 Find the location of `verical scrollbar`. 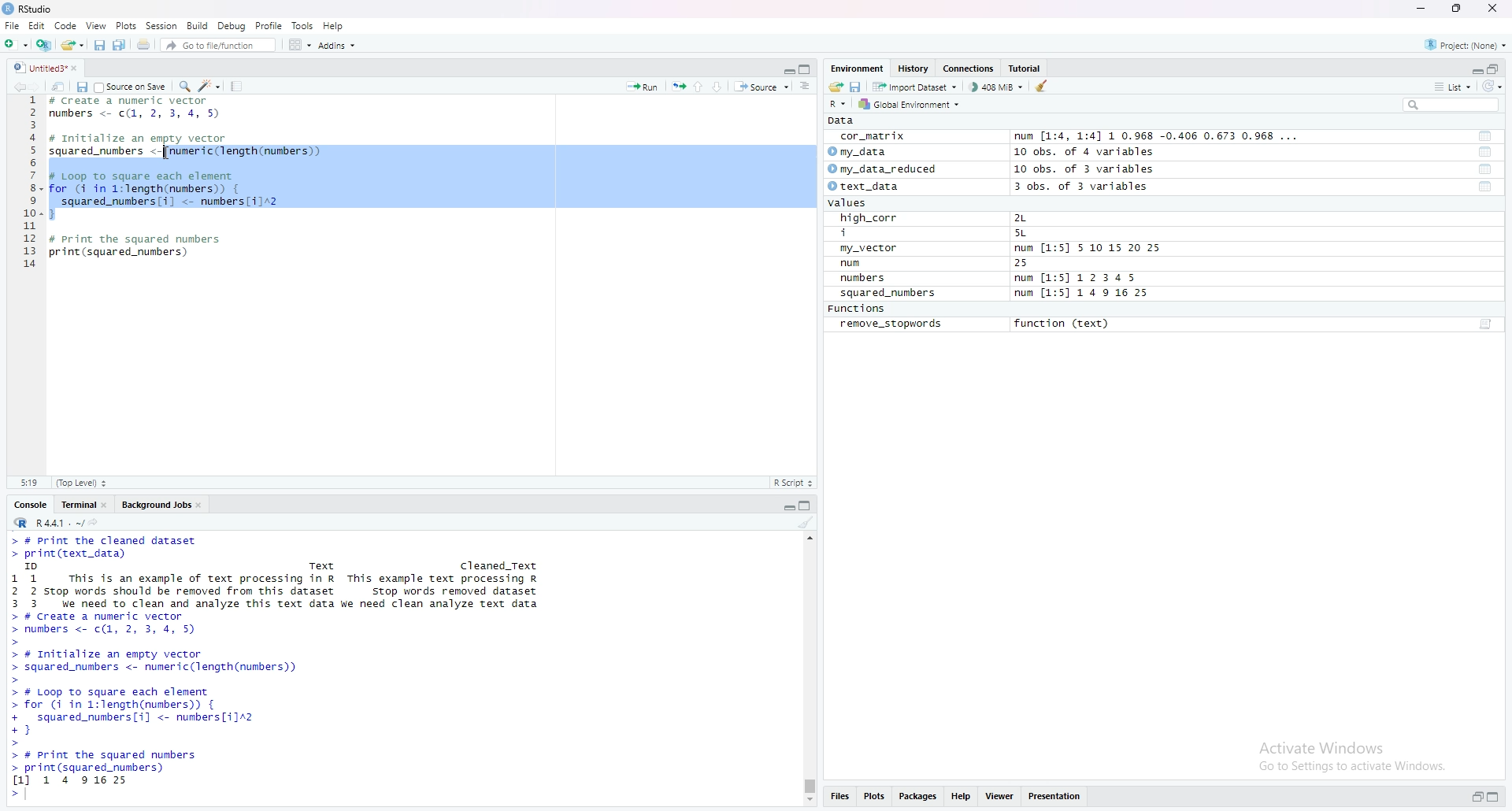

verical scrollbar is located at coordinates (808, 786).